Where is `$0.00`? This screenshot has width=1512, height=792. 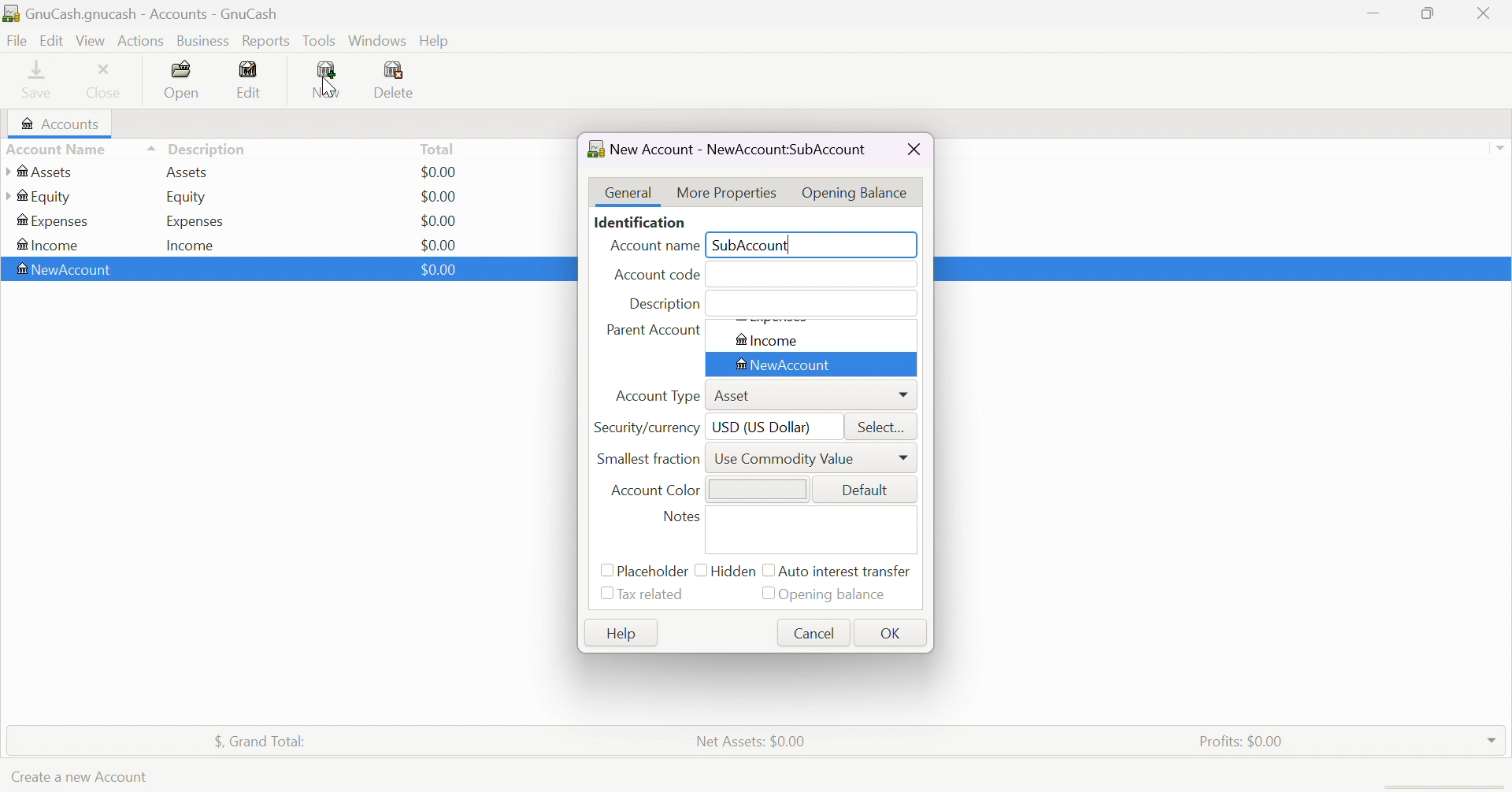 $0.00 is located at coordinates (439, 196).